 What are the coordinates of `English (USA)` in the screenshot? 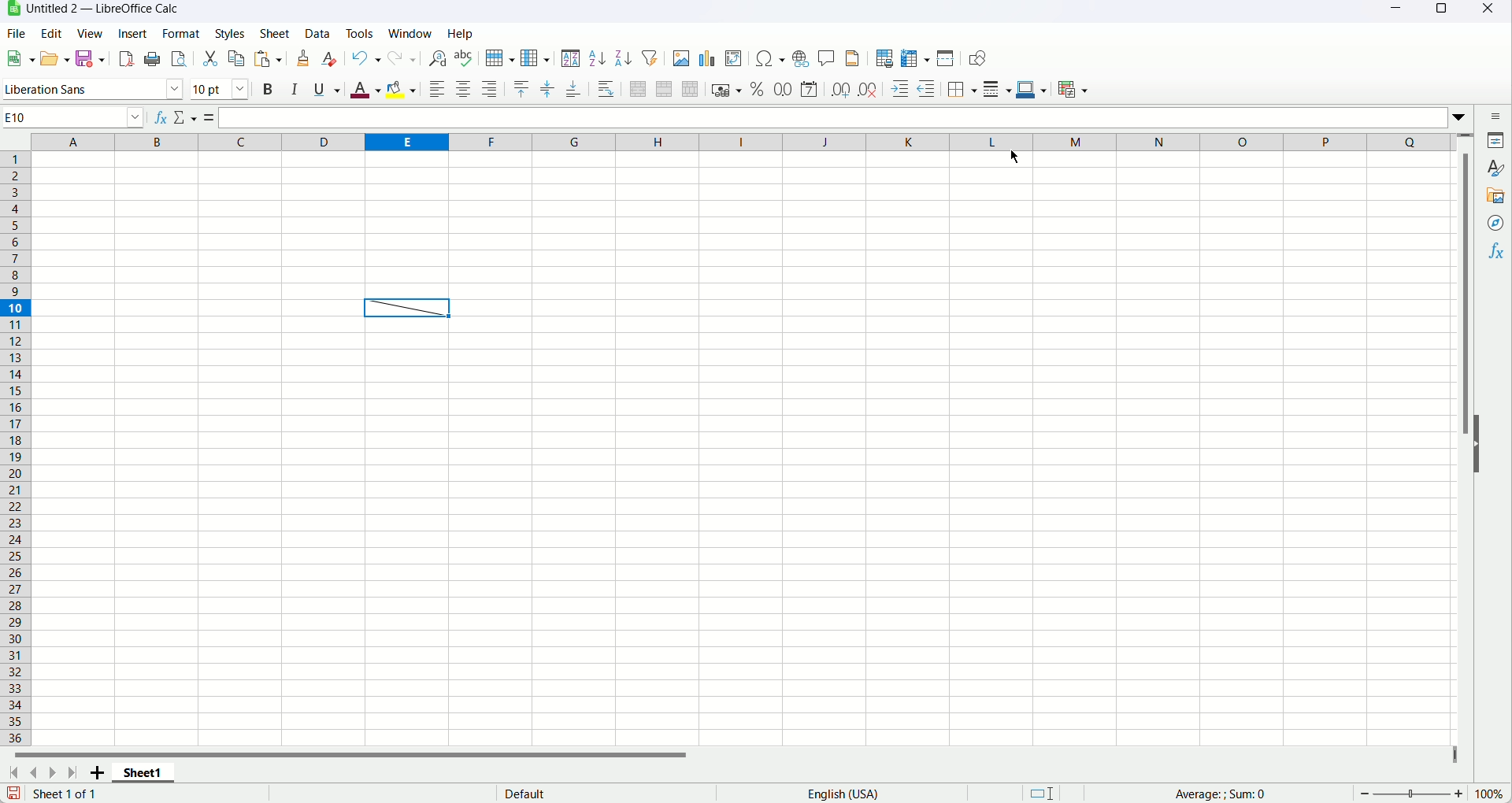 It's located at (851, 794).